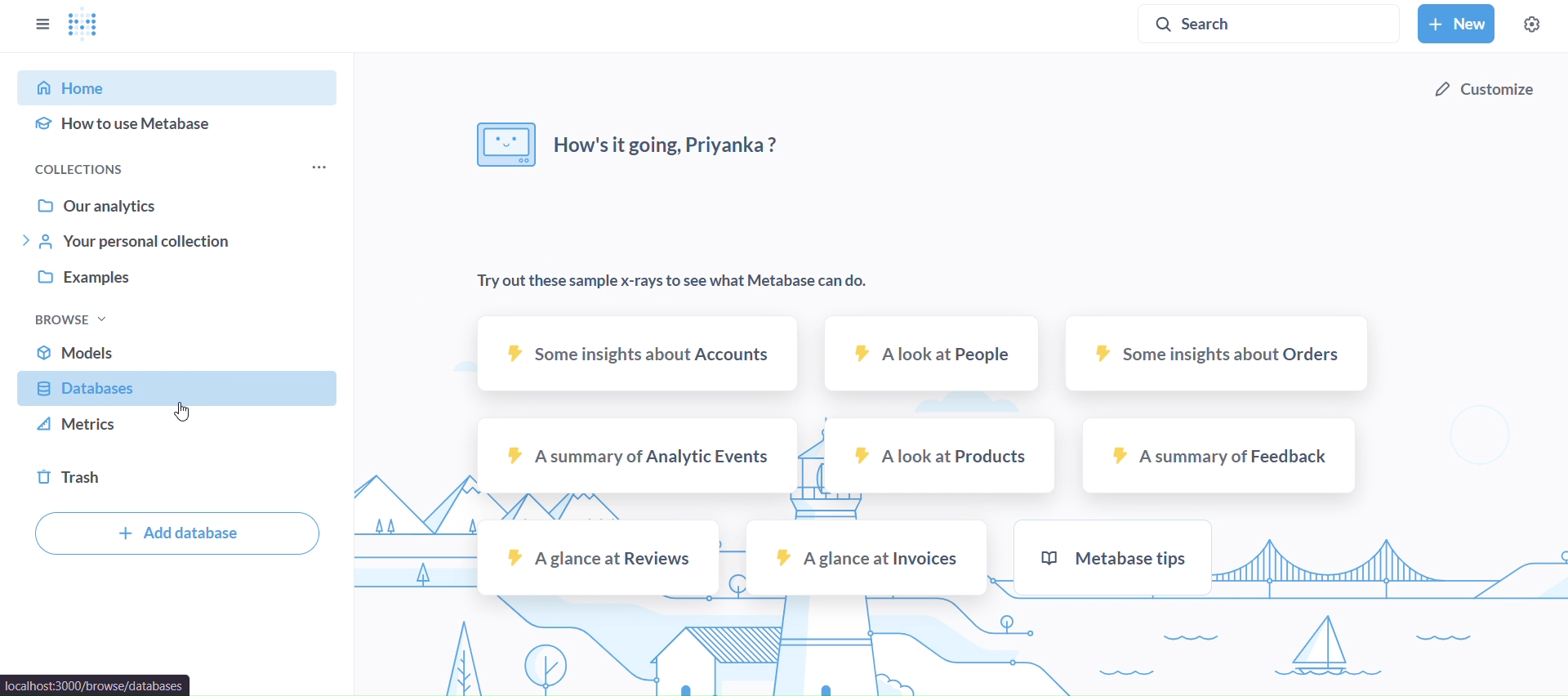 This screenshot has height=696, width=1568. What do you see at coordinates (599, 557) in the screenshot?
I see `a glance at reviews` at bounding box center [599, 557].